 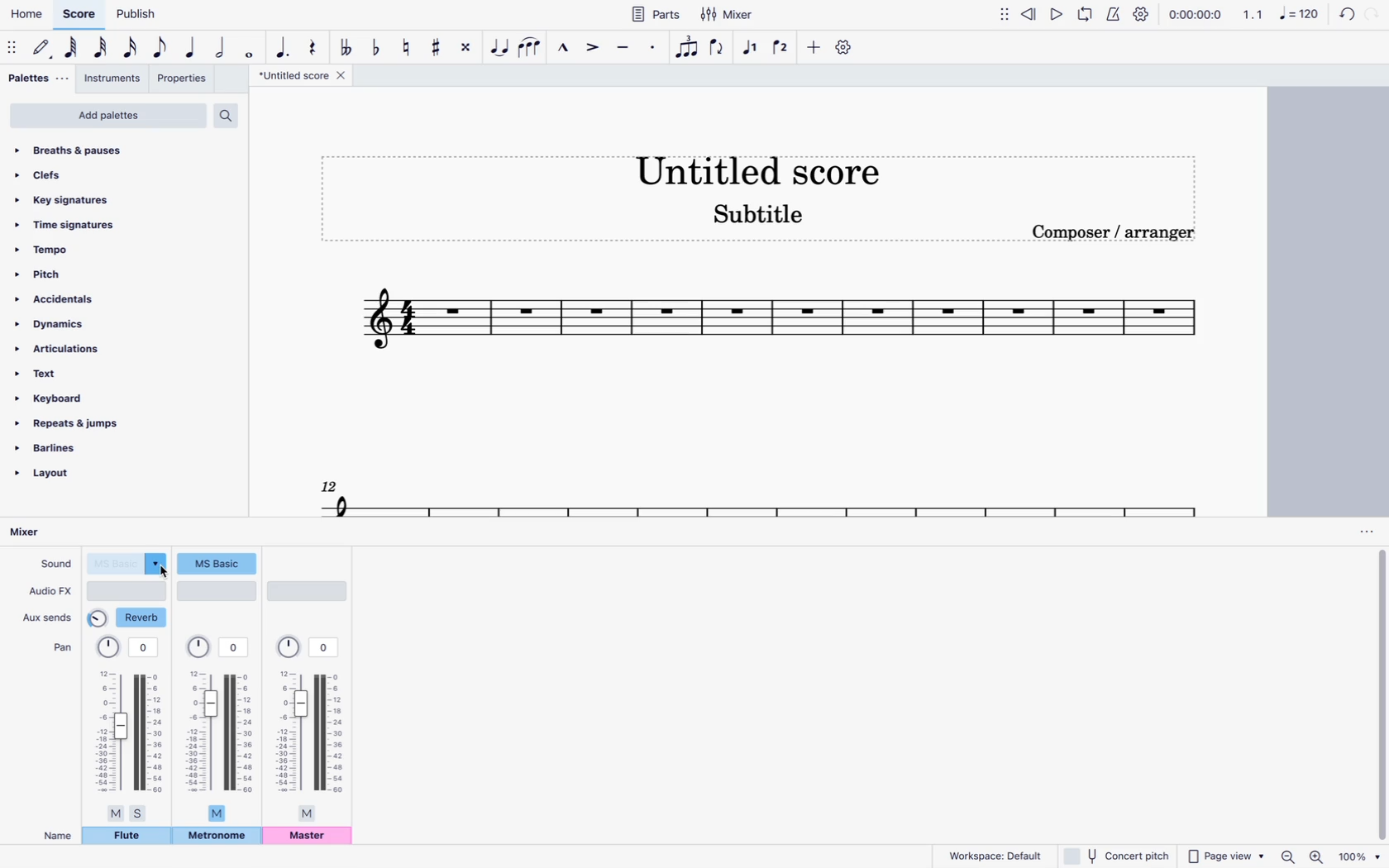 I want to click on properties, so click(x=184, y=80).